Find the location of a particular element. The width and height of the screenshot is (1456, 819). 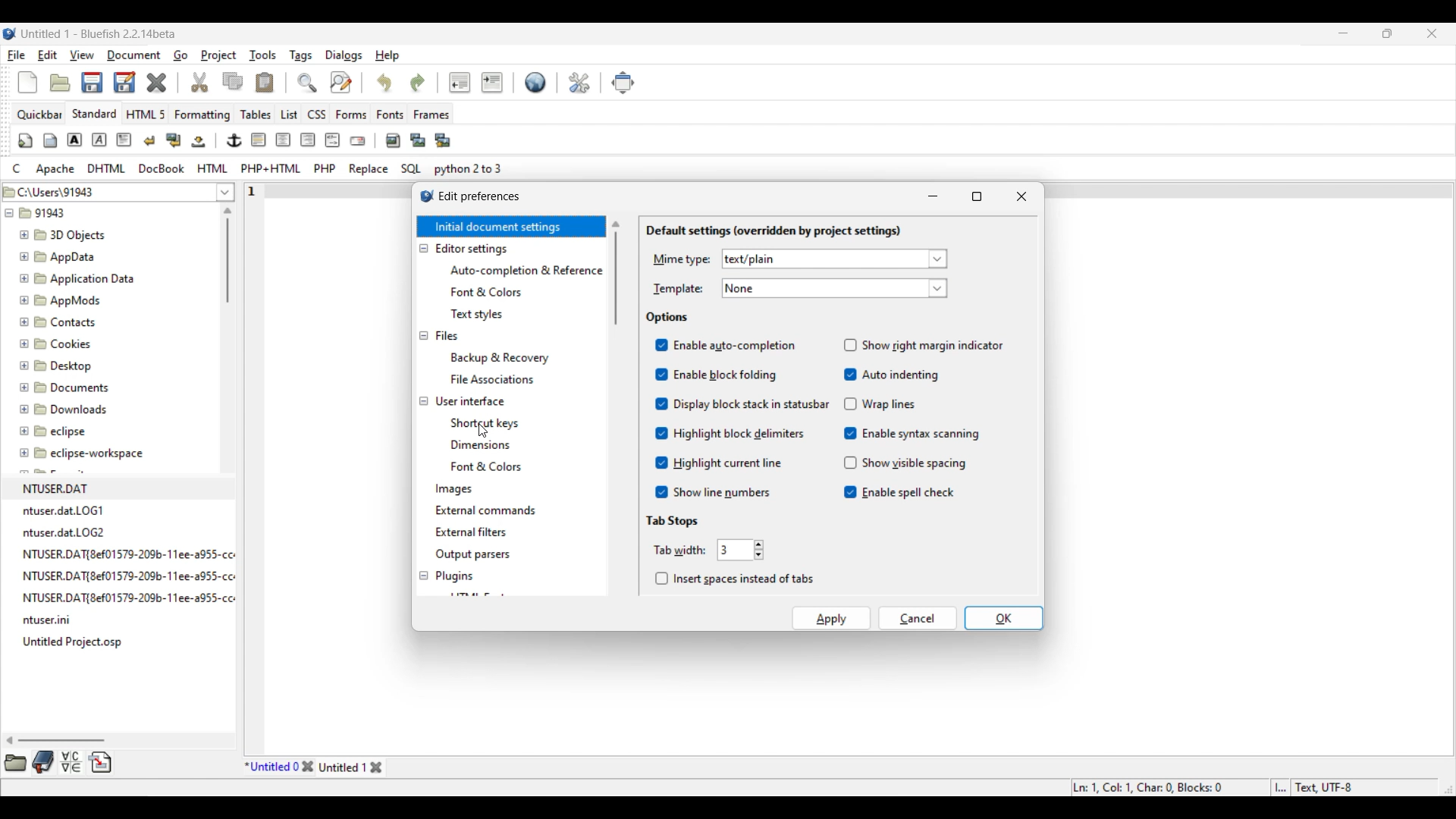

Fonts is located at coordinates (391, 114).